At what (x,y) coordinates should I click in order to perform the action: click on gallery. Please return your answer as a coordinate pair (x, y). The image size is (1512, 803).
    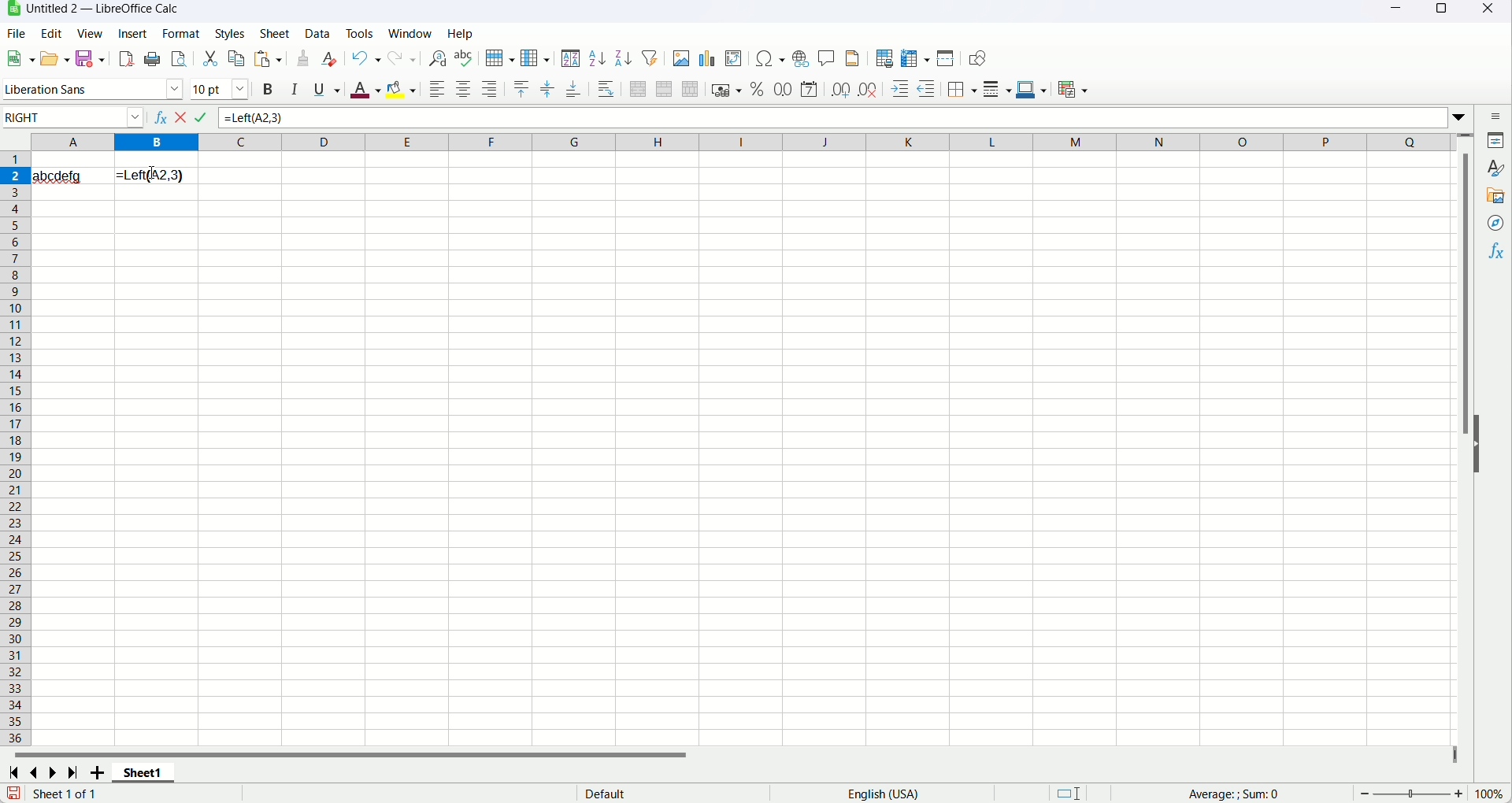
    Looking at the image, I should click on (1495, 197).